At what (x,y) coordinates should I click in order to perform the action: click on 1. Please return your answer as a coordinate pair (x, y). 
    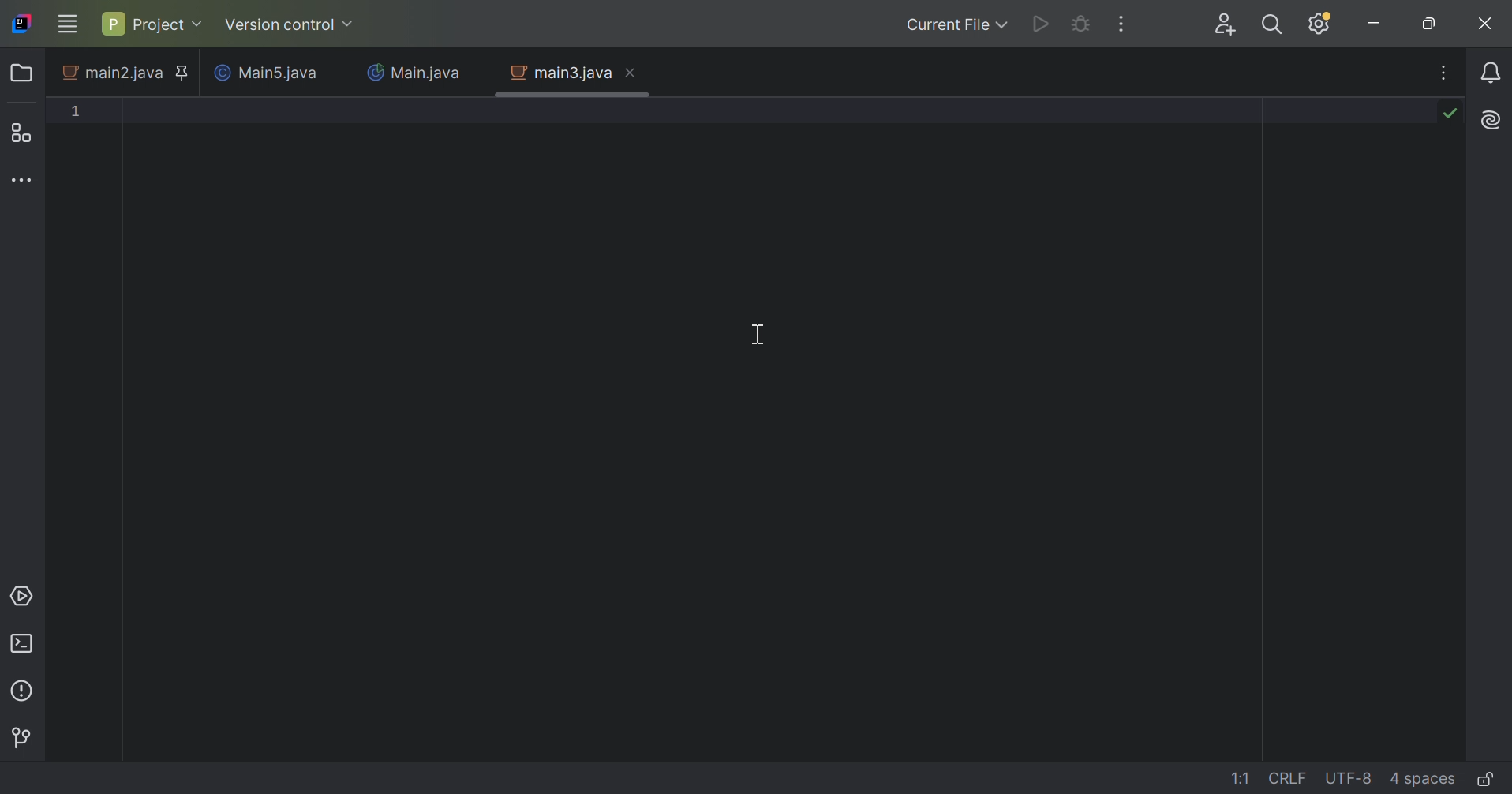
    Looking at the image, I should click on (76, 110).